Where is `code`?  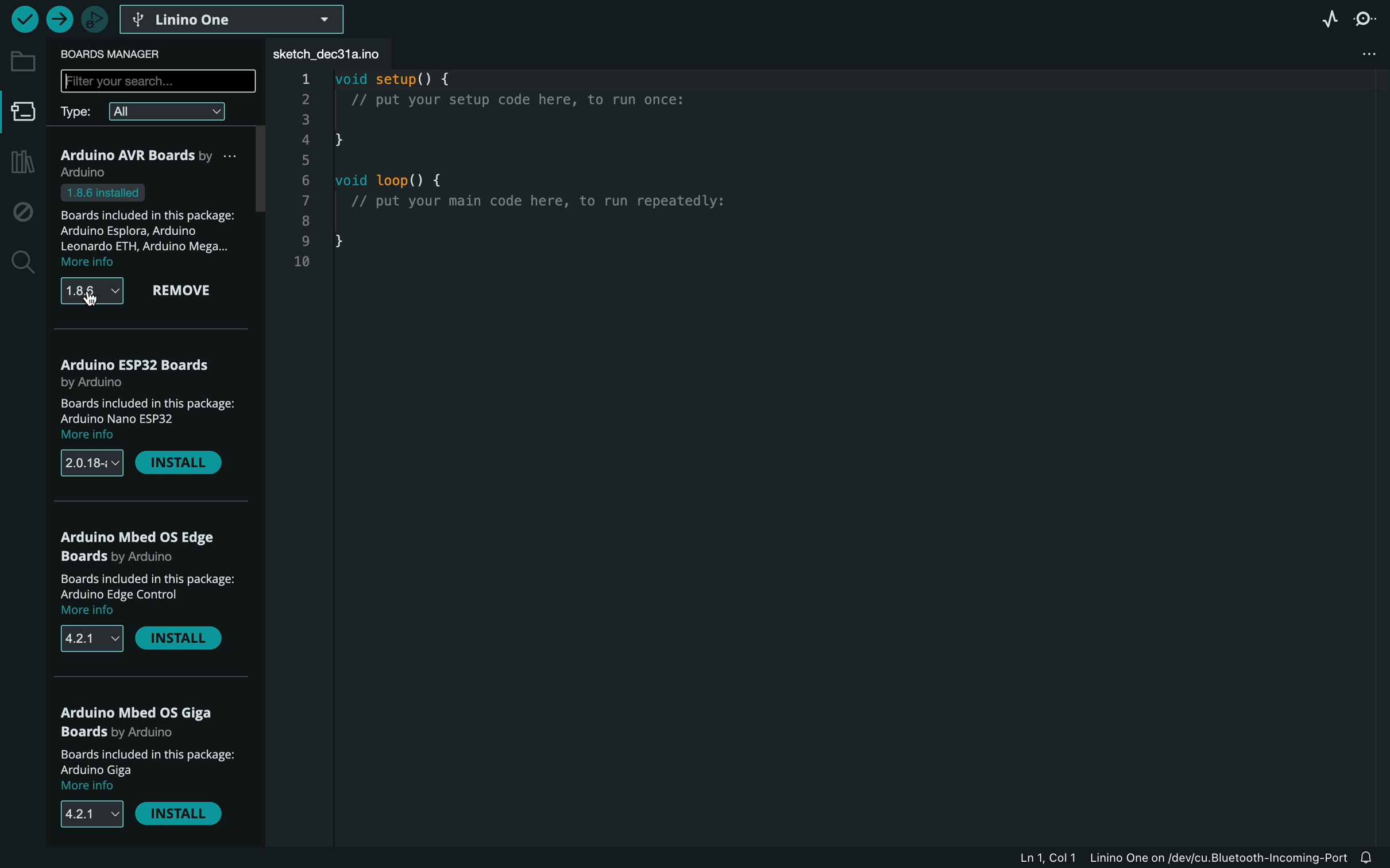 code is located at coordinates (562, 174).